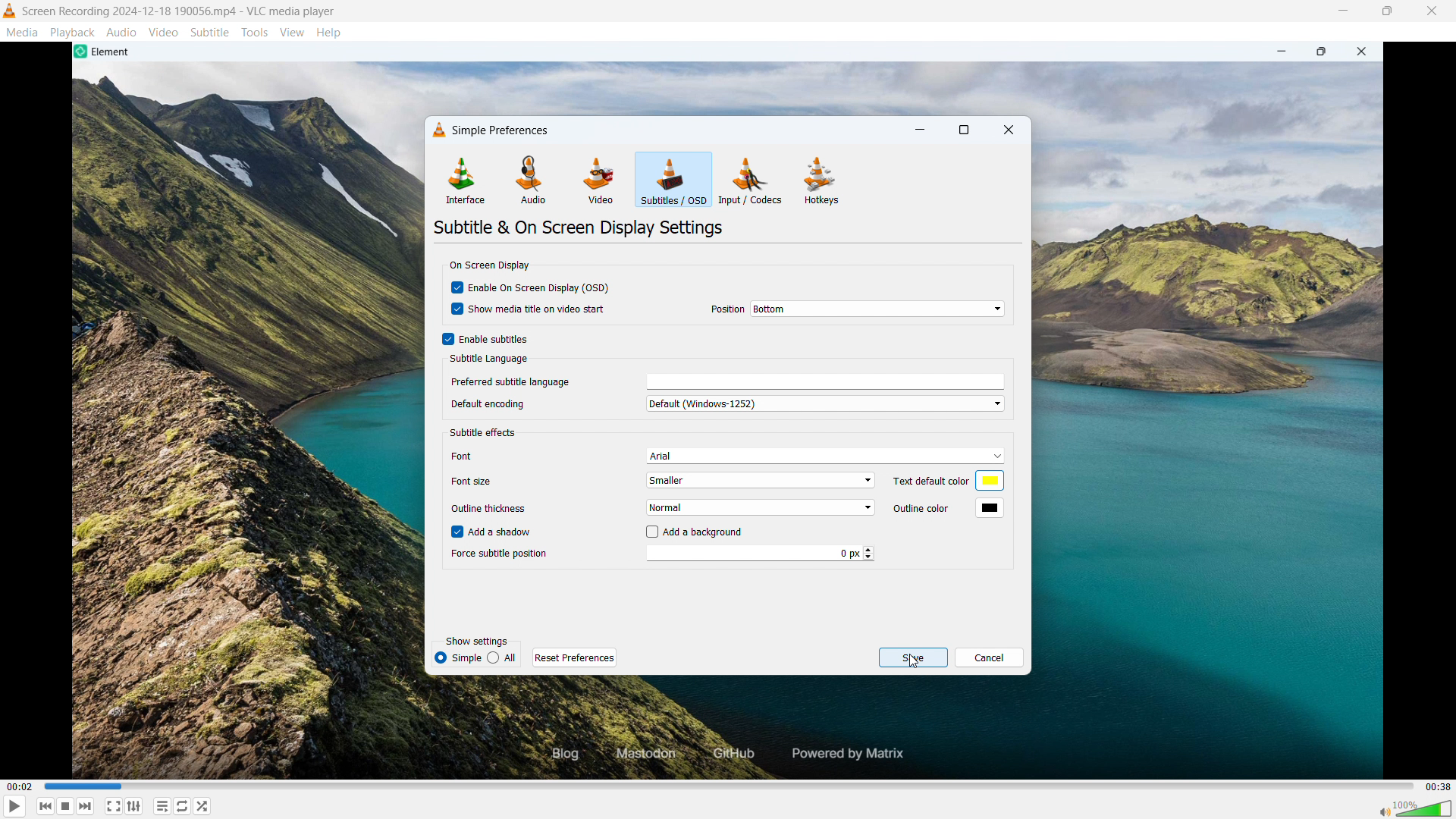 The image size is (1456, 819). Describe the element at coordinates (495, 339) in the screenshot. I see `Enable subtitles ` at that location.